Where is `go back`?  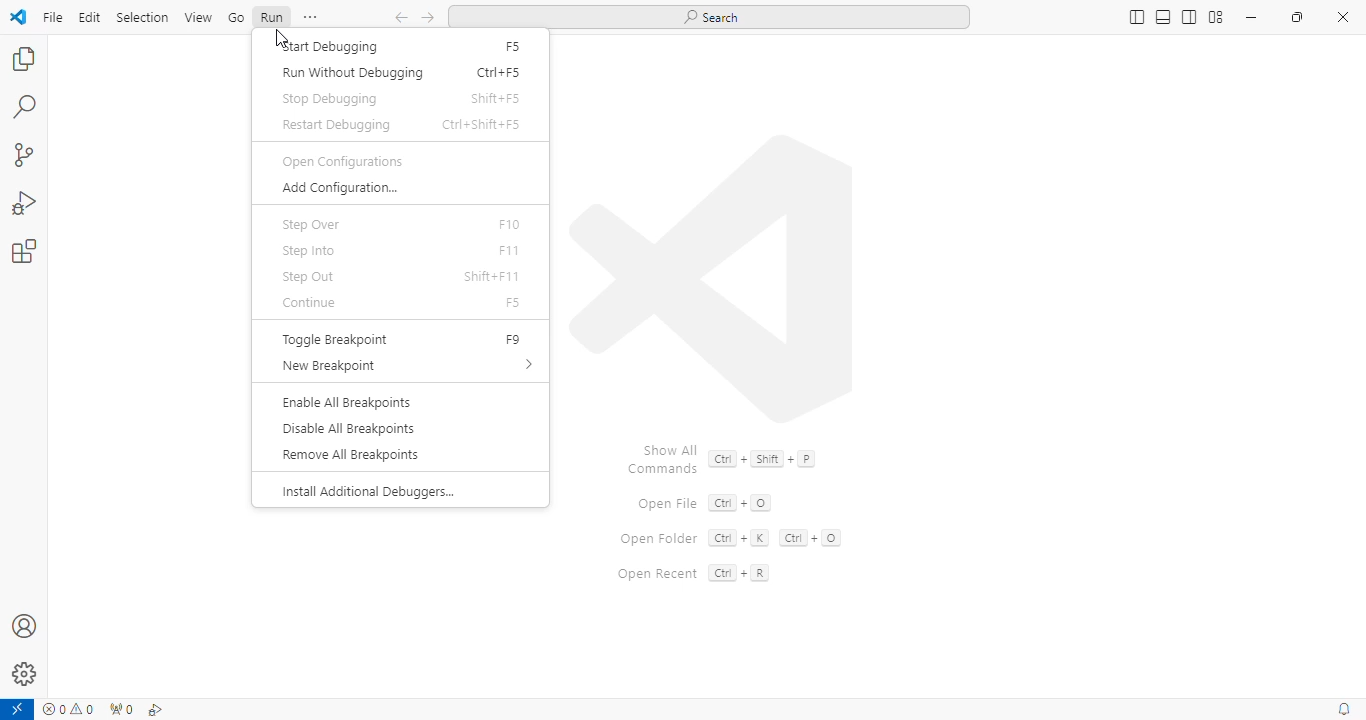
go back is located at coordinates (402, 18).